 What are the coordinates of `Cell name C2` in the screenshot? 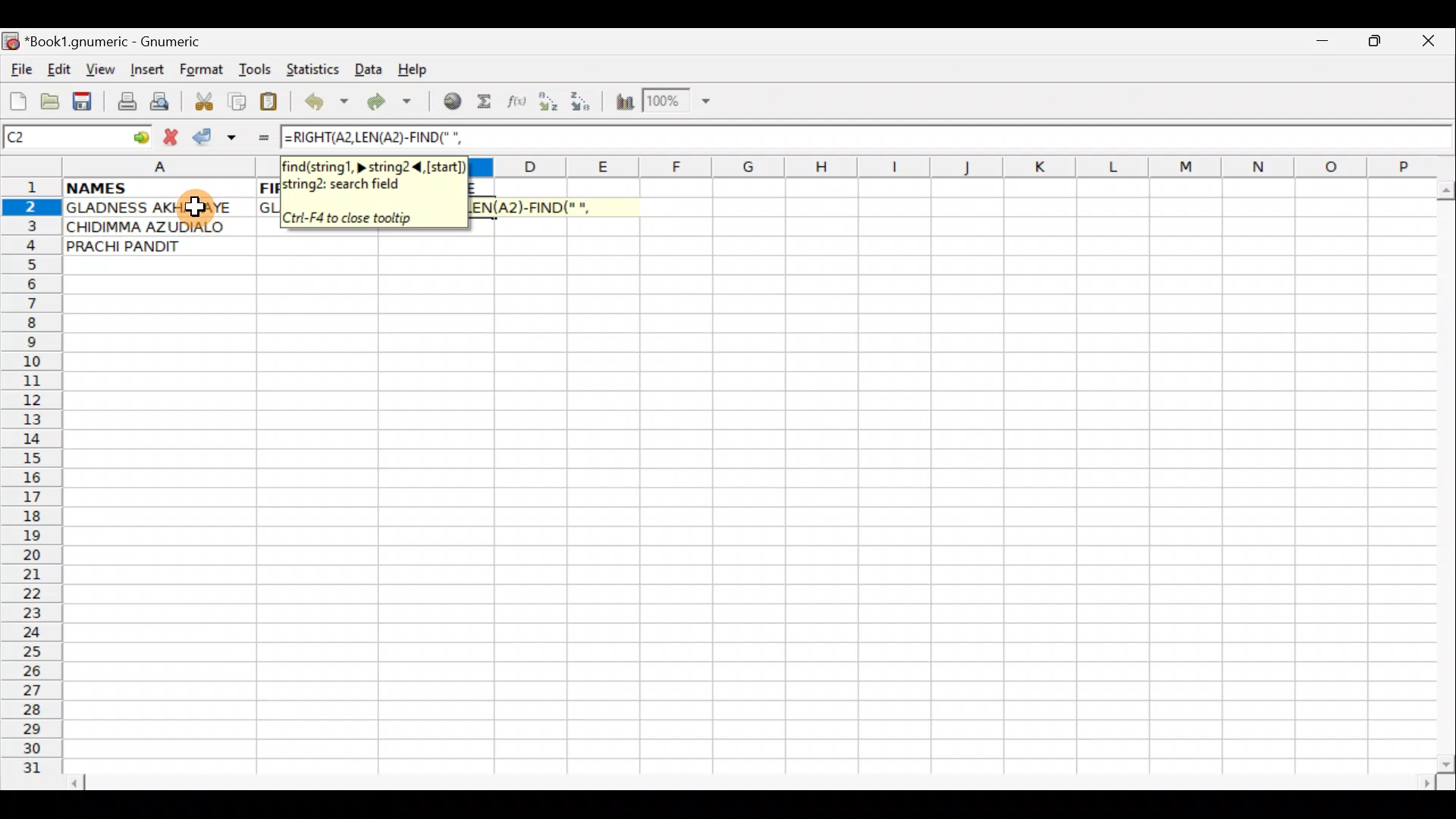 It's located at (61, 138).